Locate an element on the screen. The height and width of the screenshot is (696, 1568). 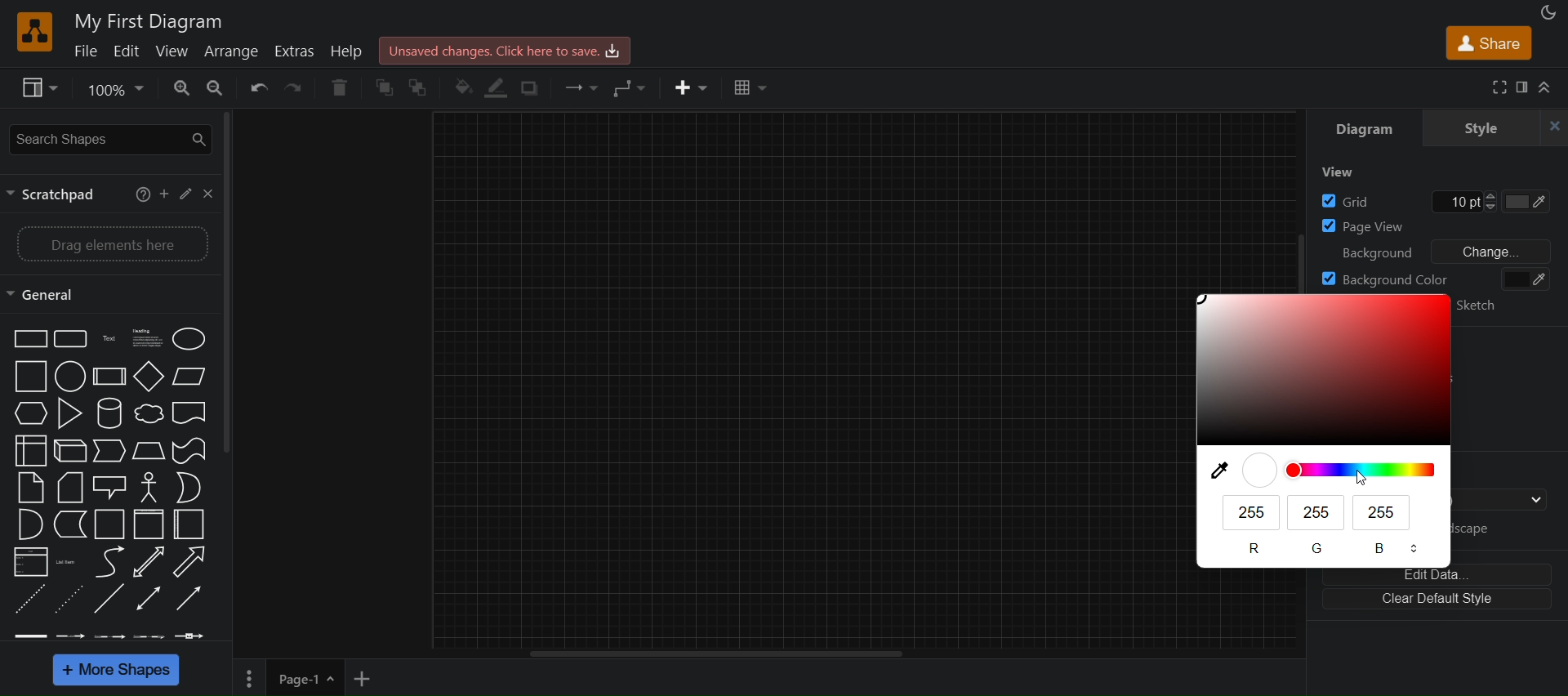
close is located at coordinates (1553, 127).